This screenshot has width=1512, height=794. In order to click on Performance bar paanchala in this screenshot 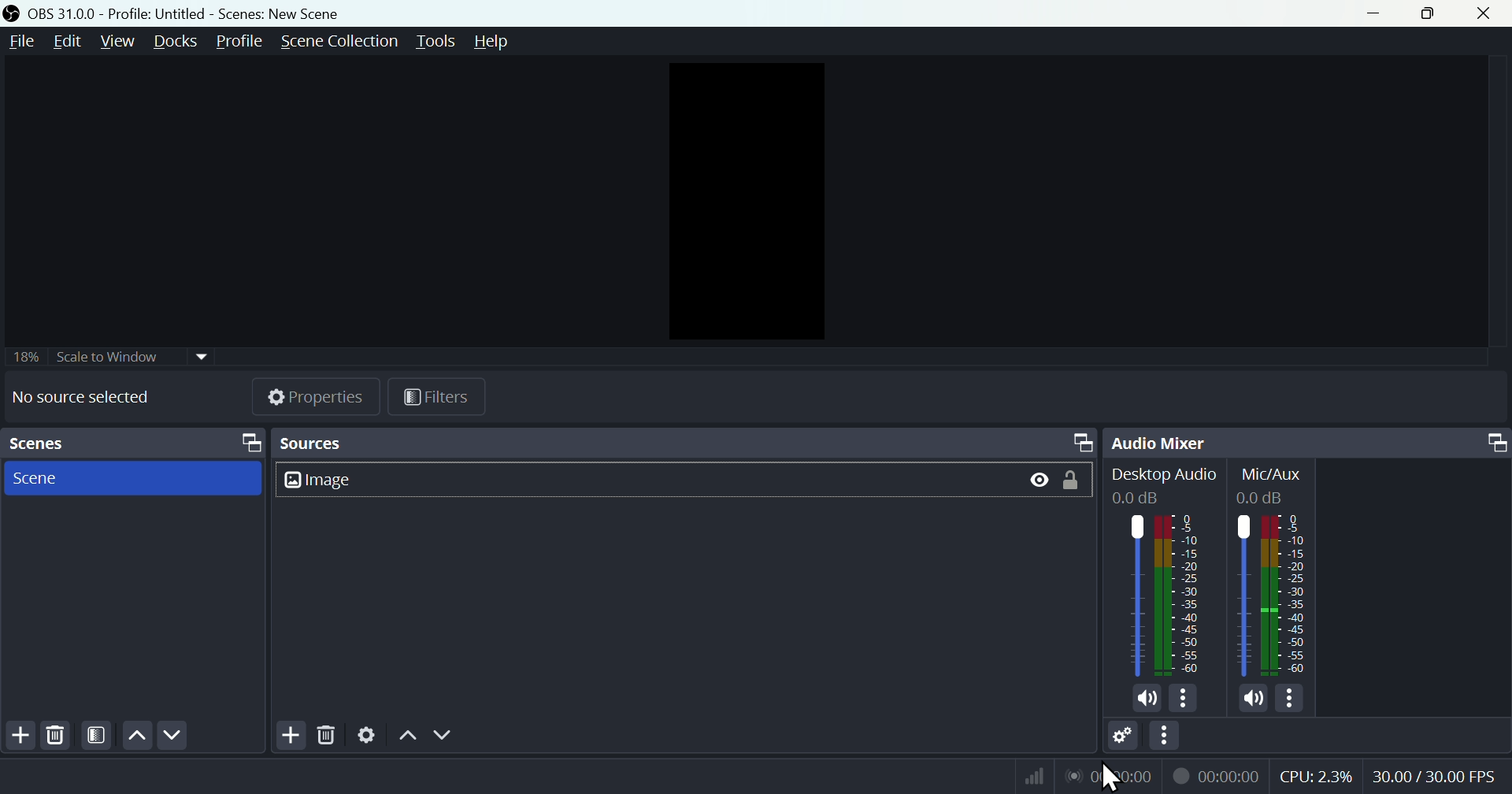, I will do `click(1394, 779)`.